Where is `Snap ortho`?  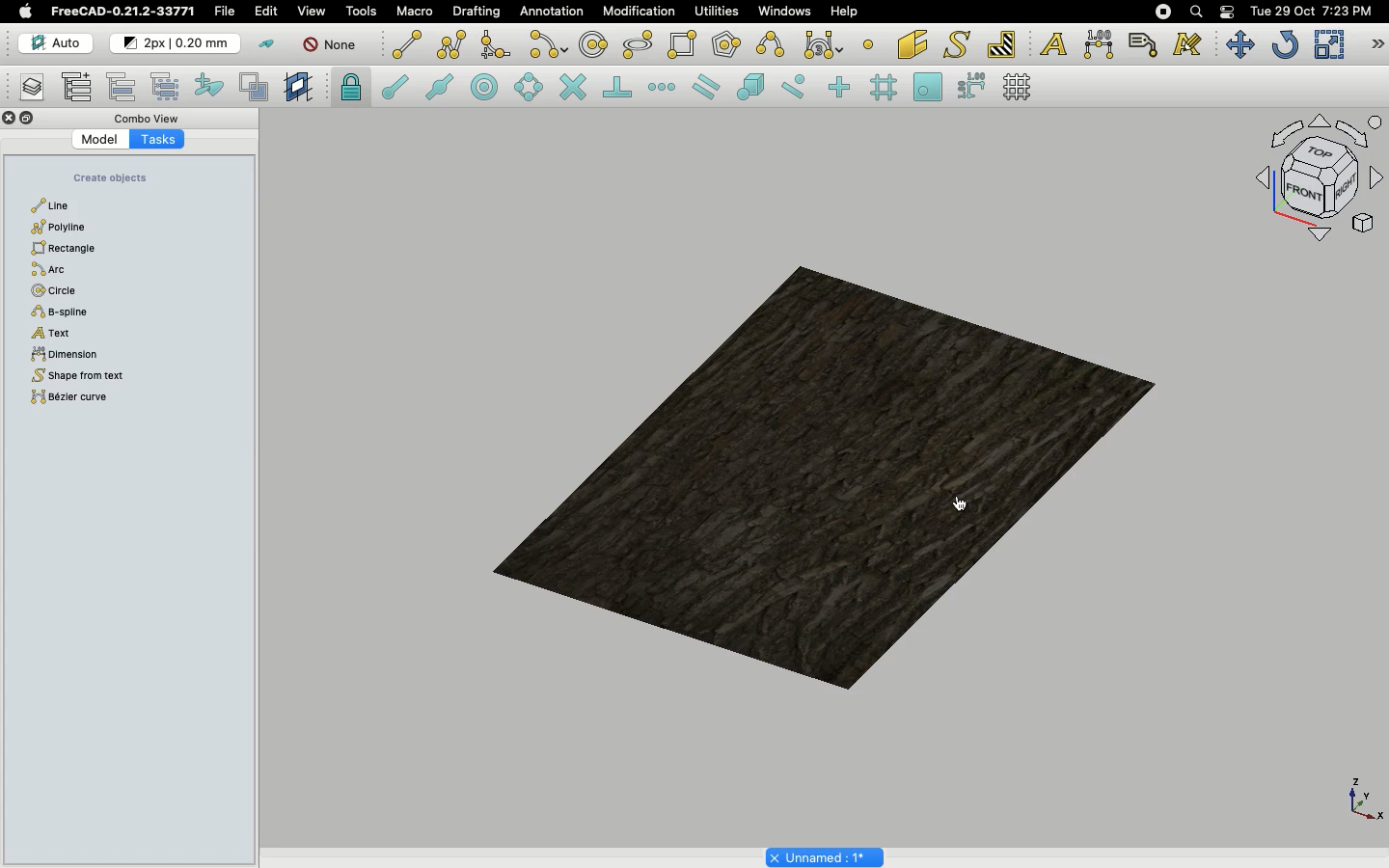 Snap ortho is located at coordinates (833, 87).